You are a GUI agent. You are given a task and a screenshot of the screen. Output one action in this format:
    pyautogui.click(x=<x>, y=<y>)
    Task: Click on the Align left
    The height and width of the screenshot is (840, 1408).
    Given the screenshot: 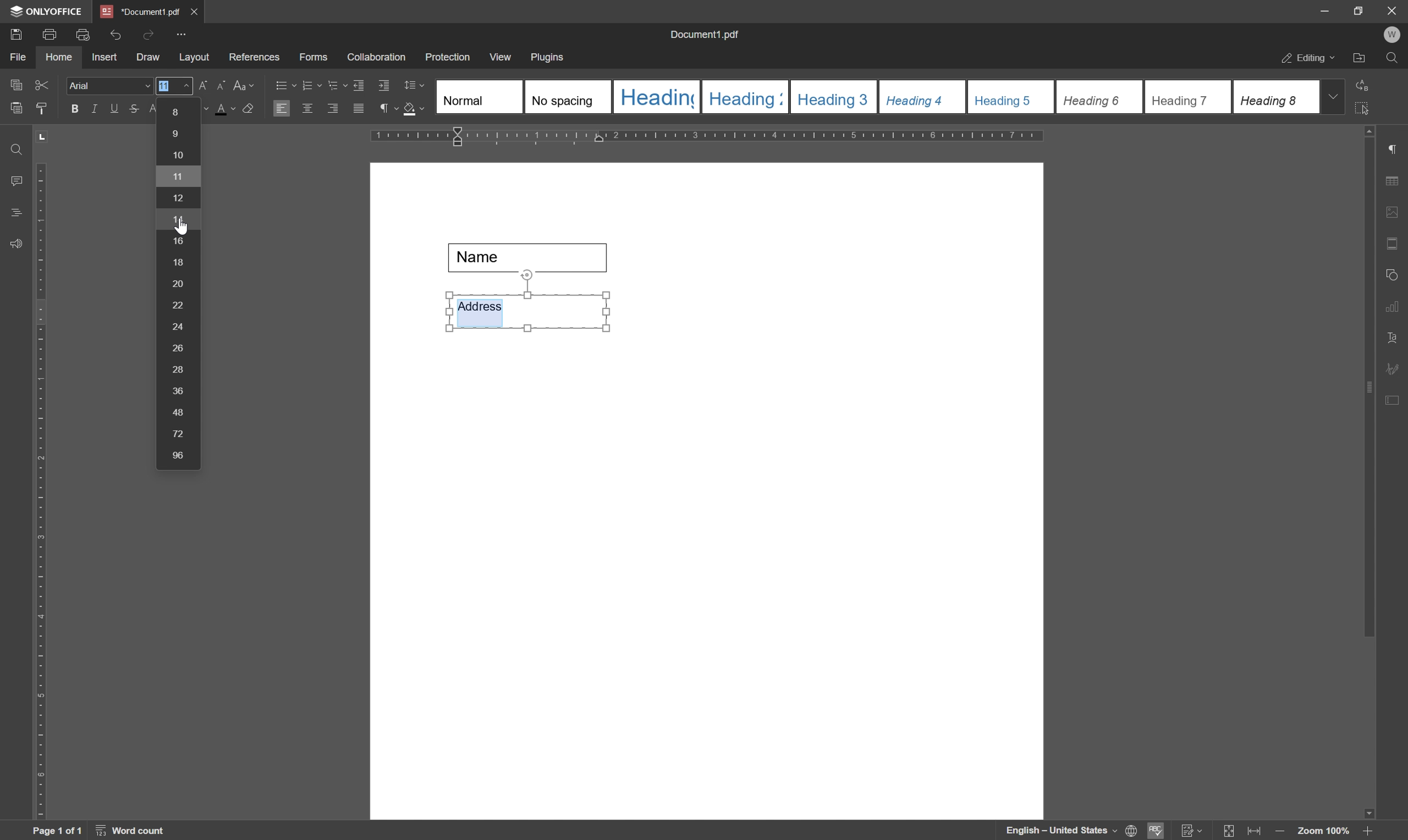 What is the action you would take?
    pyautogui.click(x=282, y=109)
    